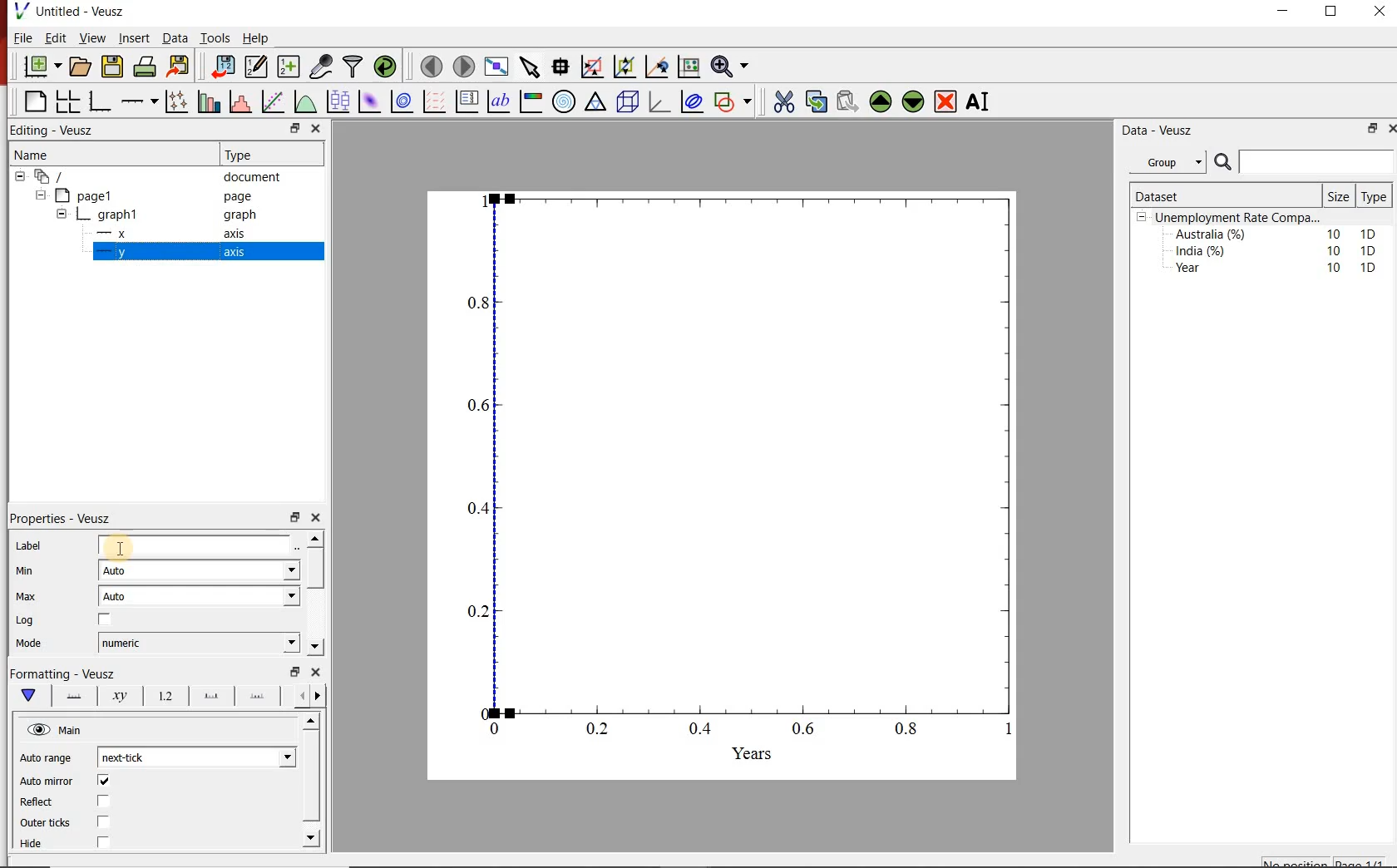 Image resolution: width=1397 pixels, height=868 pixels. Describe the element at coordinates (138, 101) in the screenshot. I see `add an axis` at that location.